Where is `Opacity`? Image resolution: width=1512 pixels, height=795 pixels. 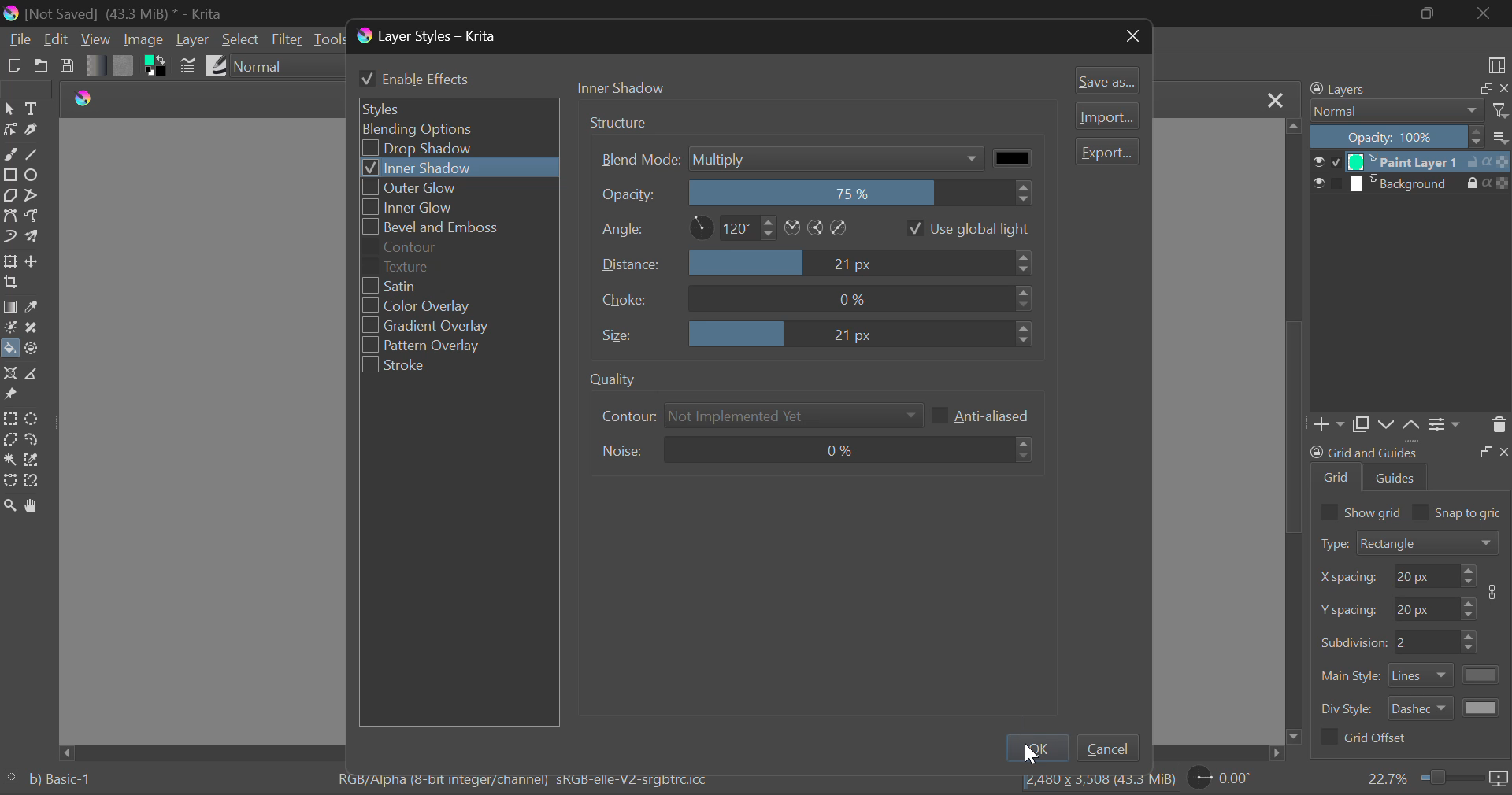
Opacity is located at coordinates (817, 193).